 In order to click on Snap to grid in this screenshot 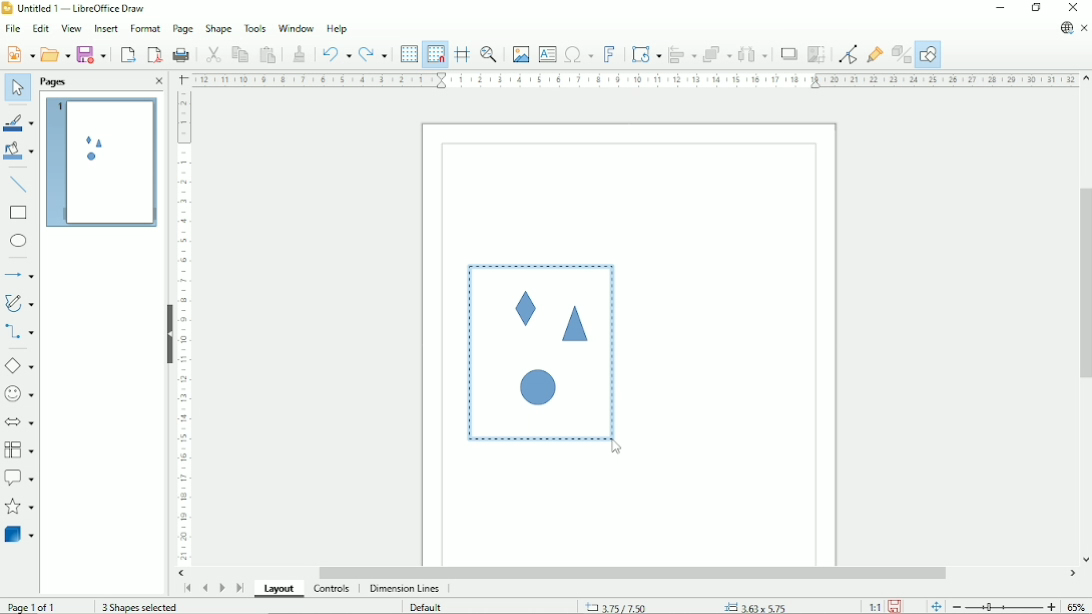, I will do `click(435, 54)`.